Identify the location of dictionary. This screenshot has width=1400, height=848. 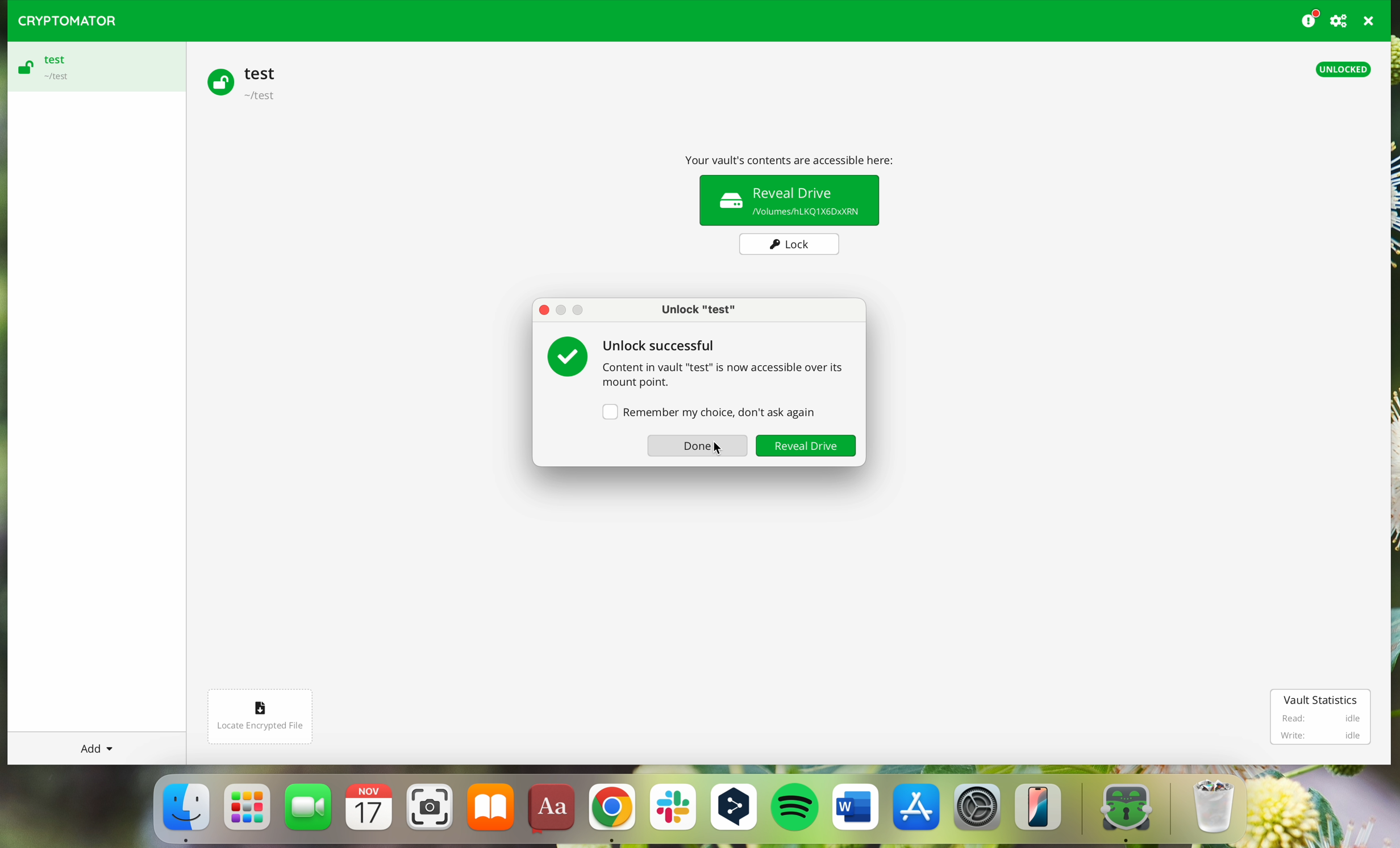
(554, 812).